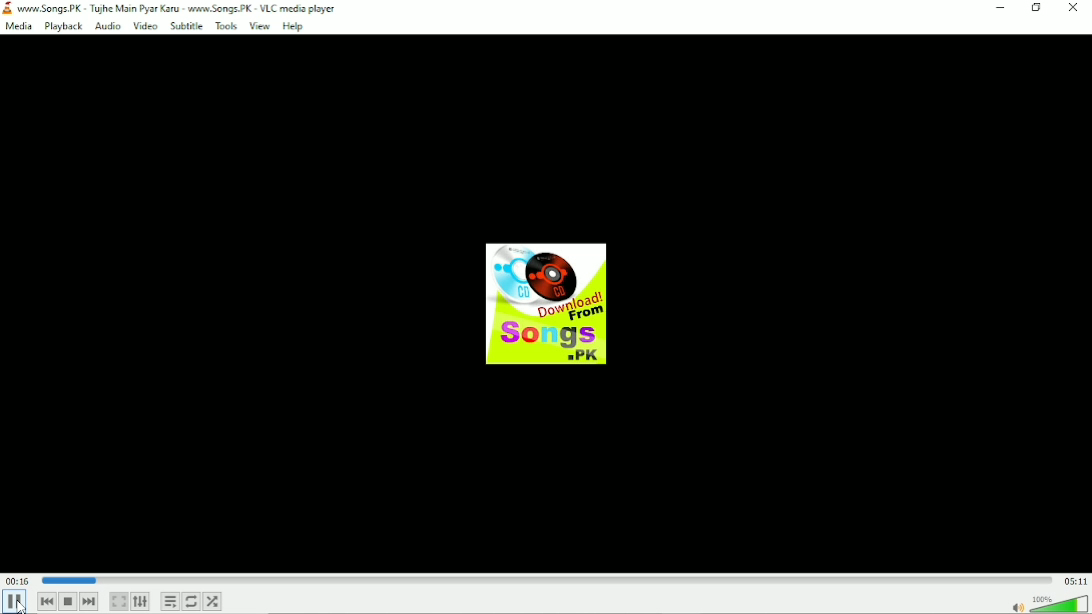 The image size is (1092, 614). I want to click on View, so click(257, 25).